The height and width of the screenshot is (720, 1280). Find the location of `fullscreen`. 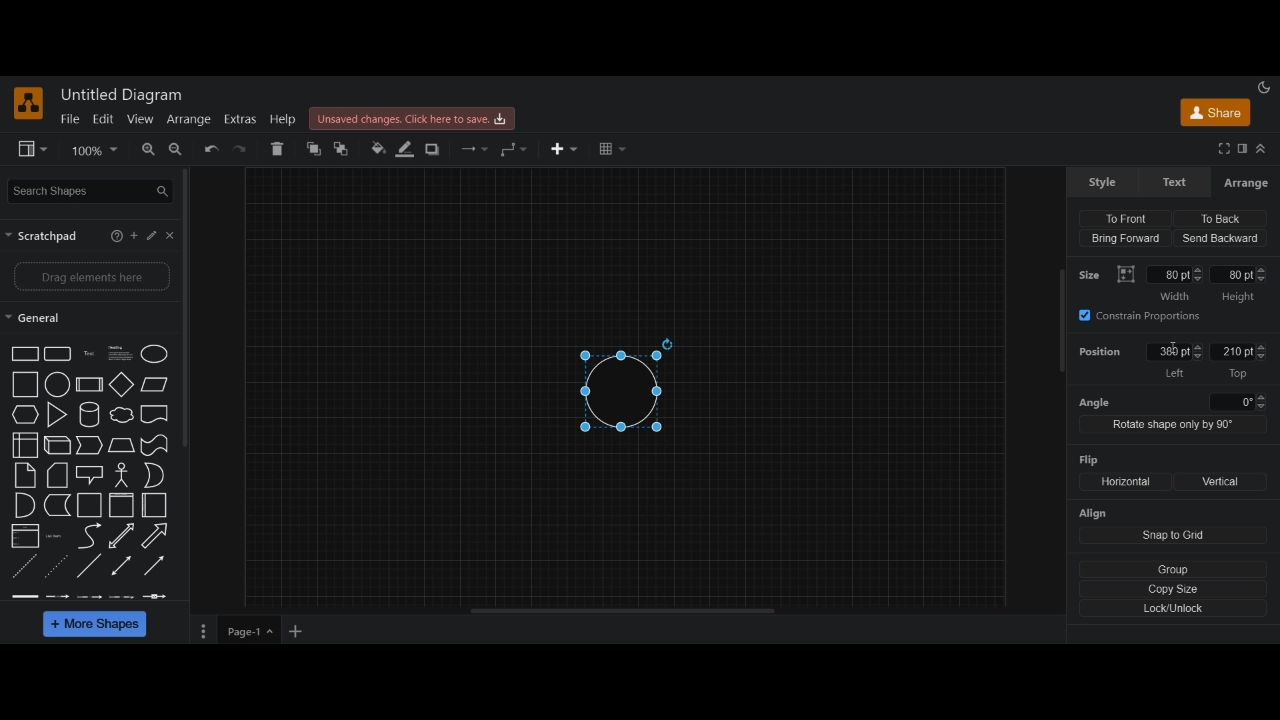

fullscreen is located at coordinates (1223, 149).